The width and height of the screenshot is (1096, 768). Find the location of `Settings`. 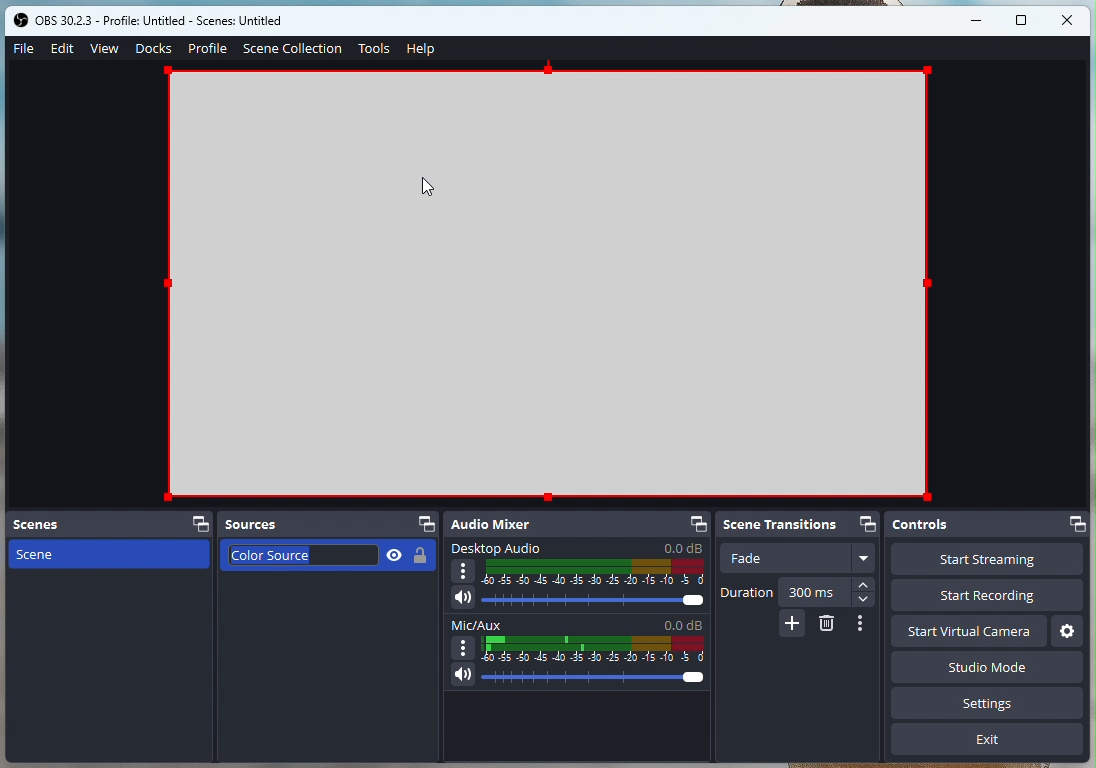

Settings is located at coordinates (1066, 630).